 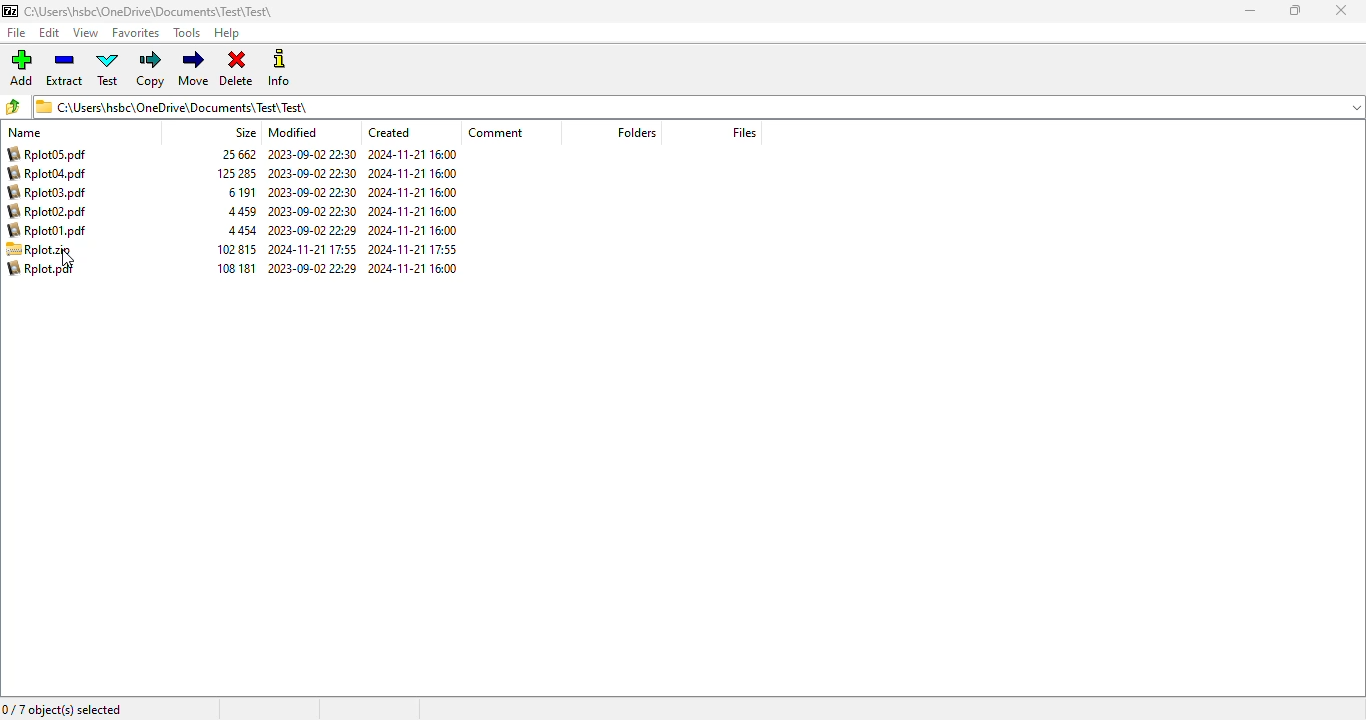 I want to click on | C:\Users\hsbc\OneDrive\Documents\ Test\ Test\, so click(x=177, y=106).